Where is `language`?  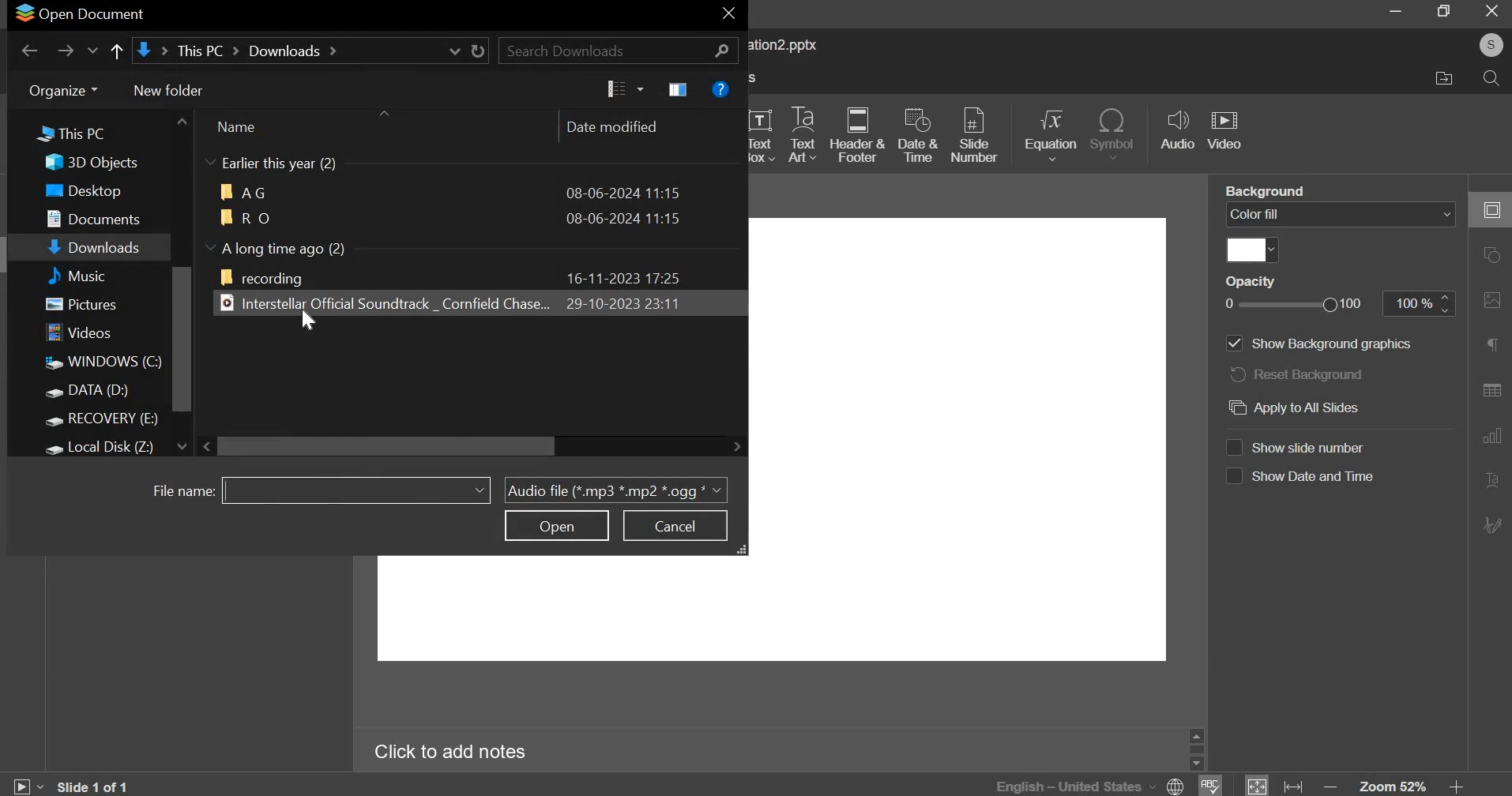
language is located at coordinates (1087, 785).